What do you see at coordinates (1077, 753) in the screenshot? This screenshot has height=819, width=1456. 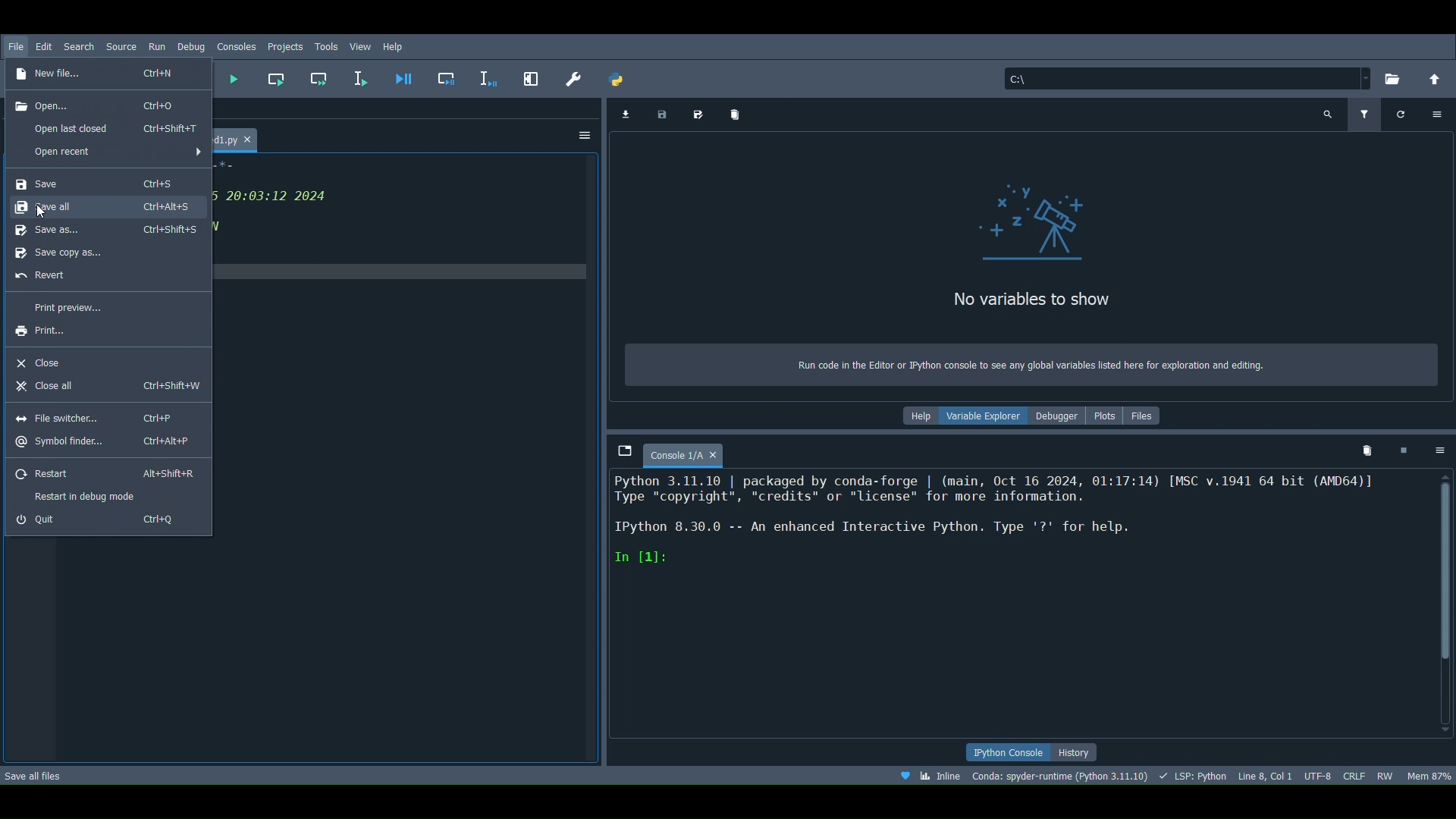 I see `History` at bounding box center [1077, 753].